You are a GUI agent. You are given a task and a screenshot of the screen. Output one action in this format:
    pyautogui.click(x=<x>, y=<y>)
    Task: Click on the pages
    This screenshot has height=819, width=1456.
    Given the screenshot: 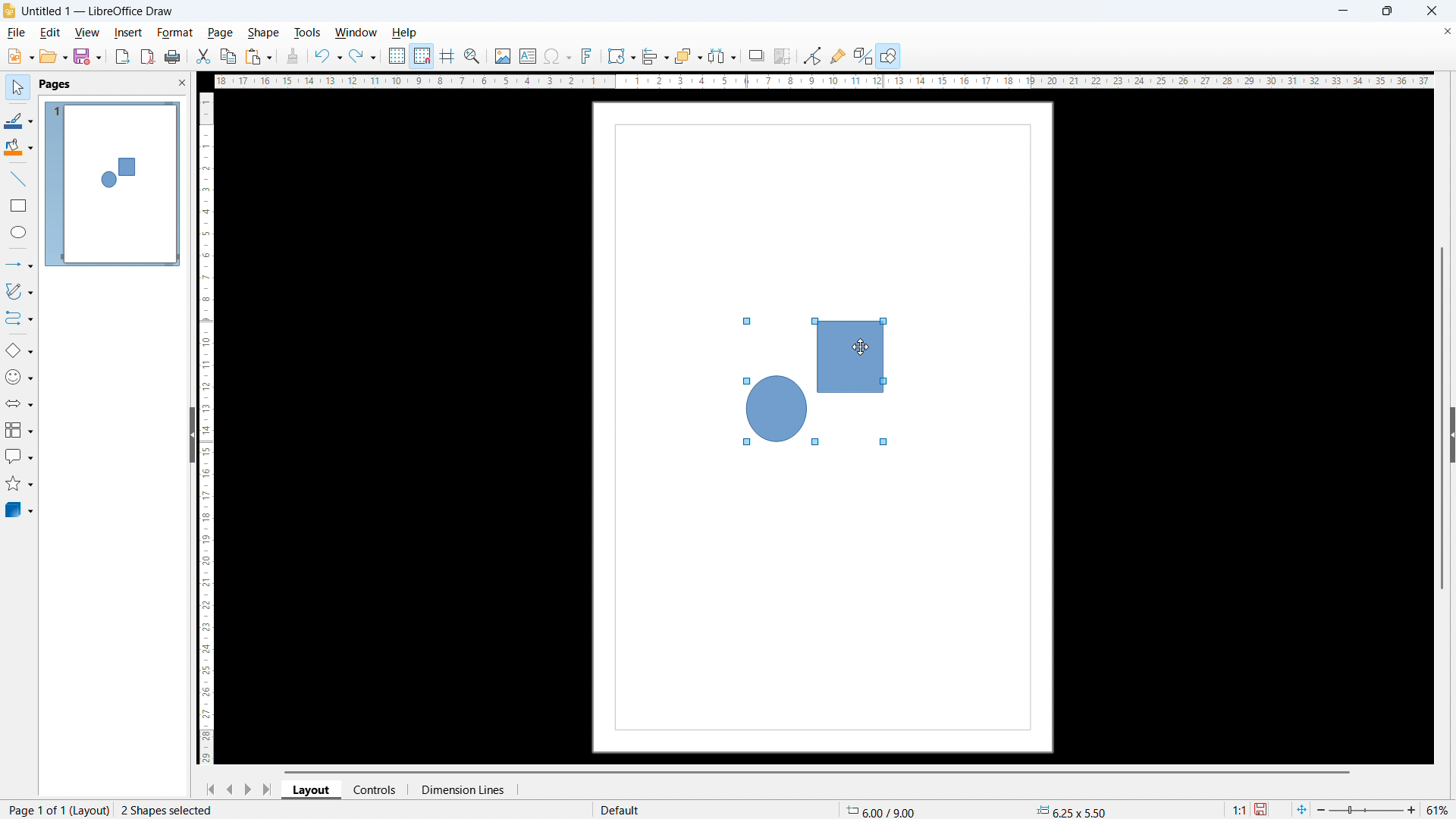 What is the action you would take?
    pyautogui.click(x=56, y=83)
    